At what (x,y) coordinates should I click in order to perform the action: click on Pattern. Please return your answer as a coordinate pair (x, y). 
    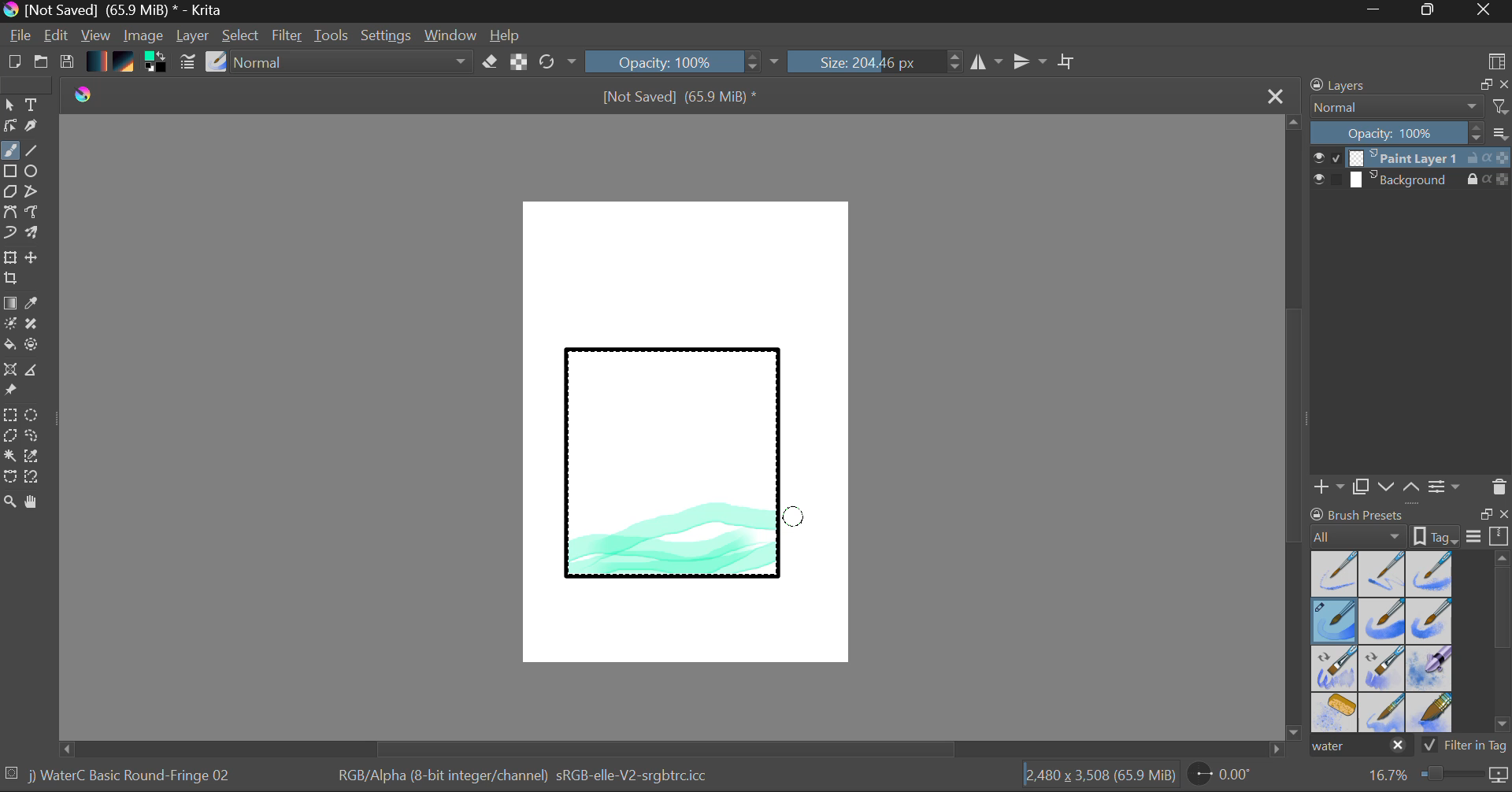
    Looking at the image, I should click on (126, 63).